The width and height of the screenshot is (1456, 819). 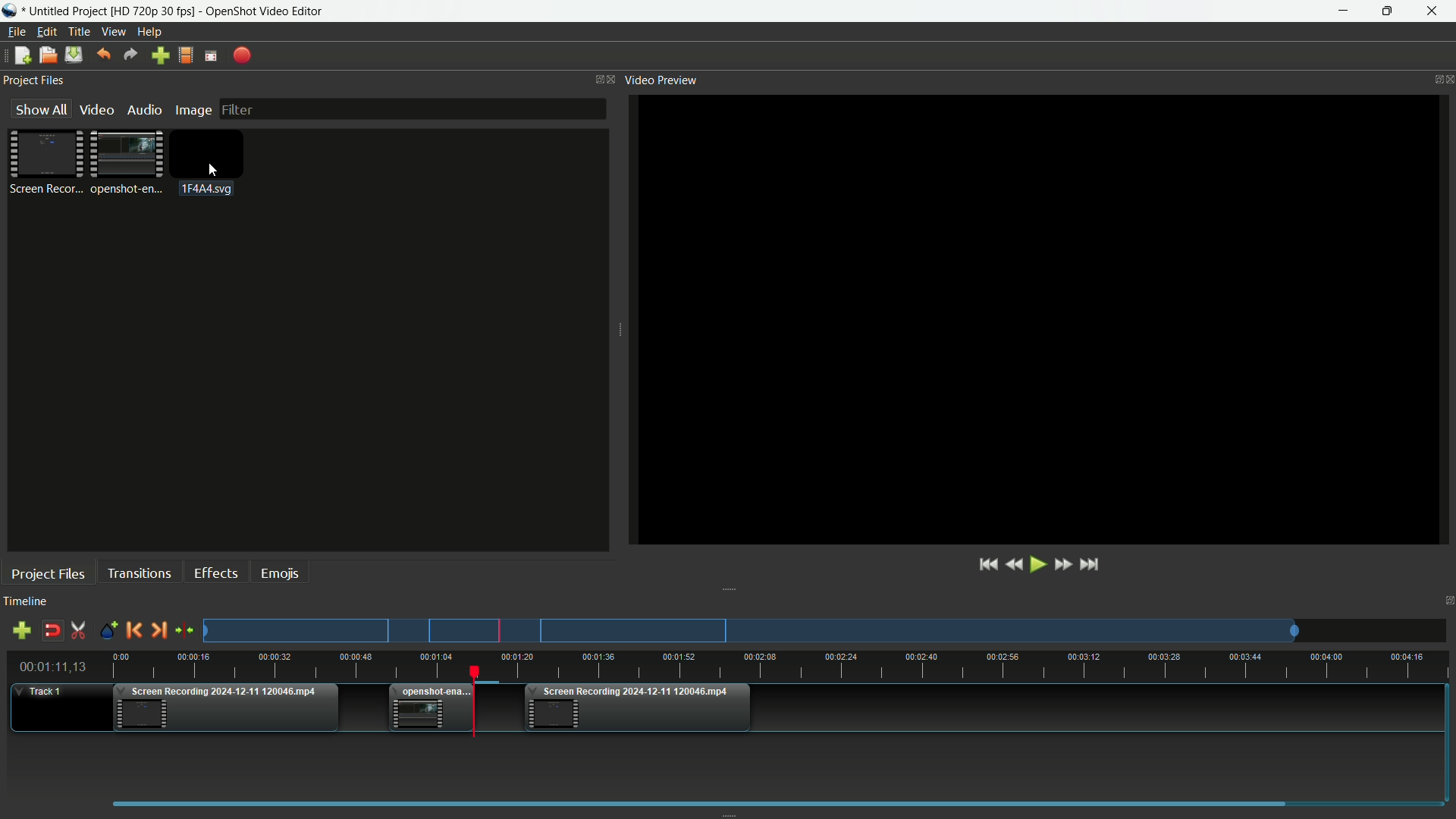 What do you see at coordinates (595, 80) in the screenshot?
I see `Change layout` at bounding box center [595, 80].